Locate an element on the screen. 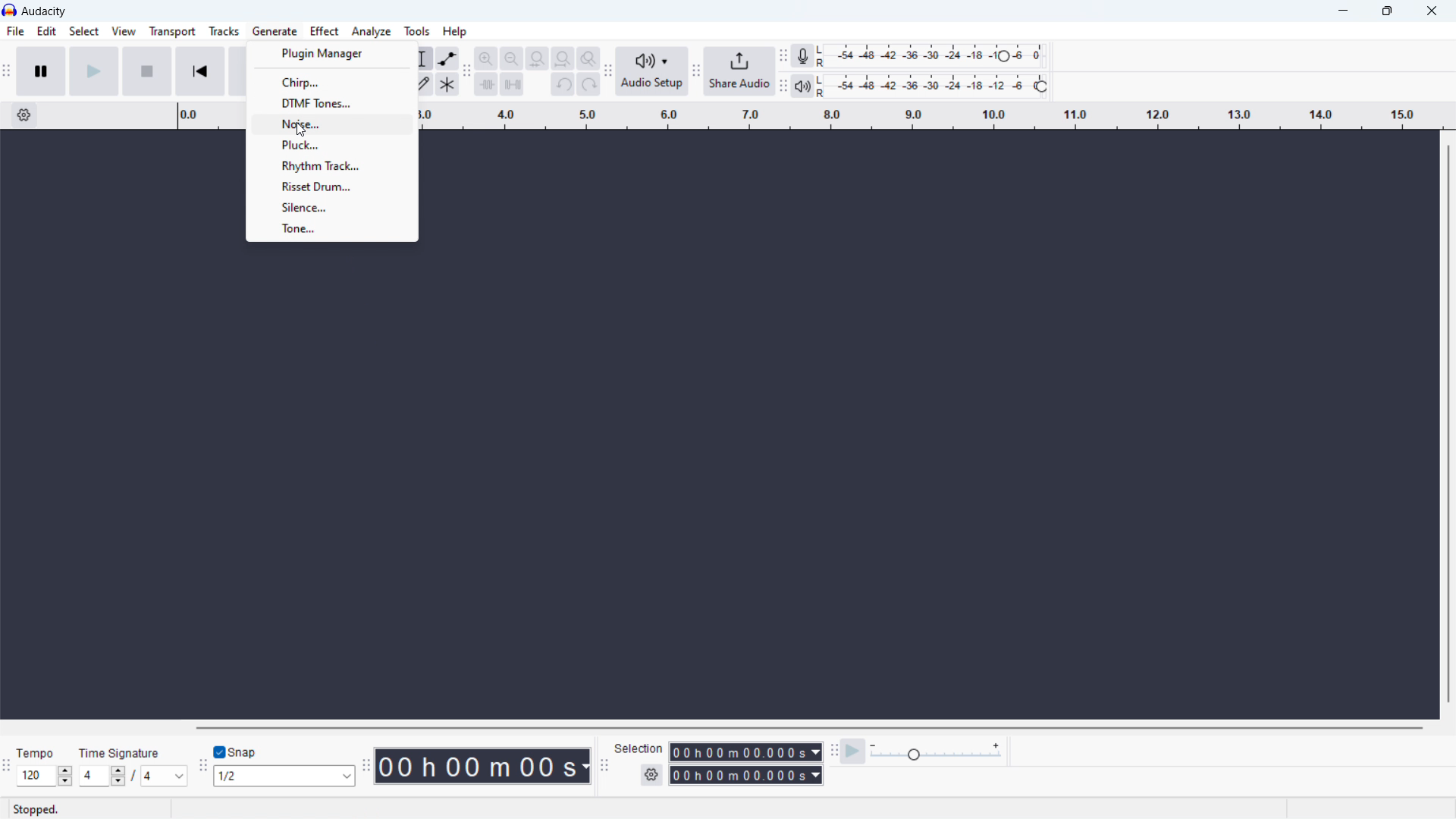 The width and height of the screenshot is (1456, 819). select tempo is located at coordinates (44, 776).